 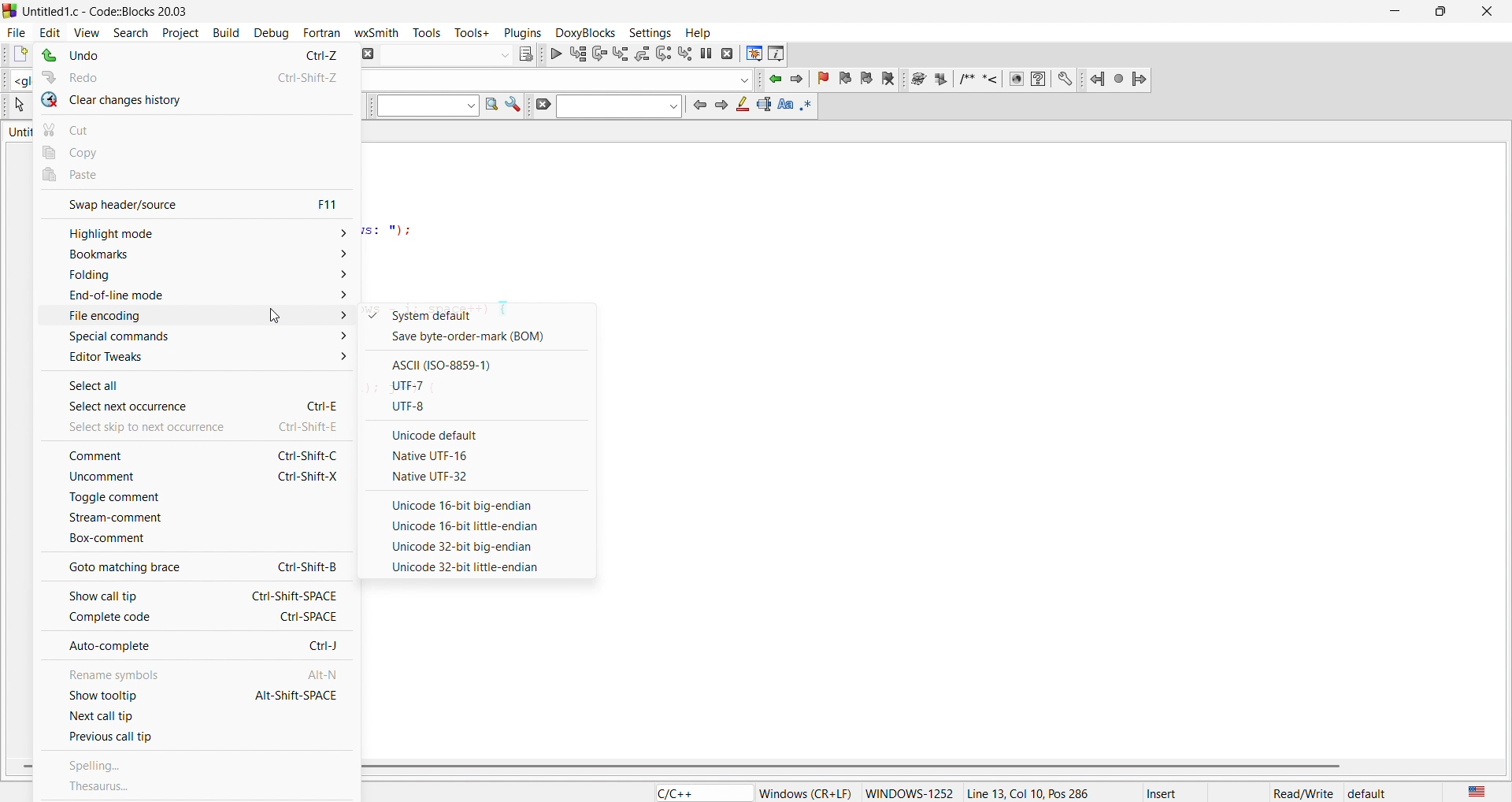 What do you see at coordinates (844, 80) in the screenshot?
I see `previous bookmark` at bounding box center [844, 80].